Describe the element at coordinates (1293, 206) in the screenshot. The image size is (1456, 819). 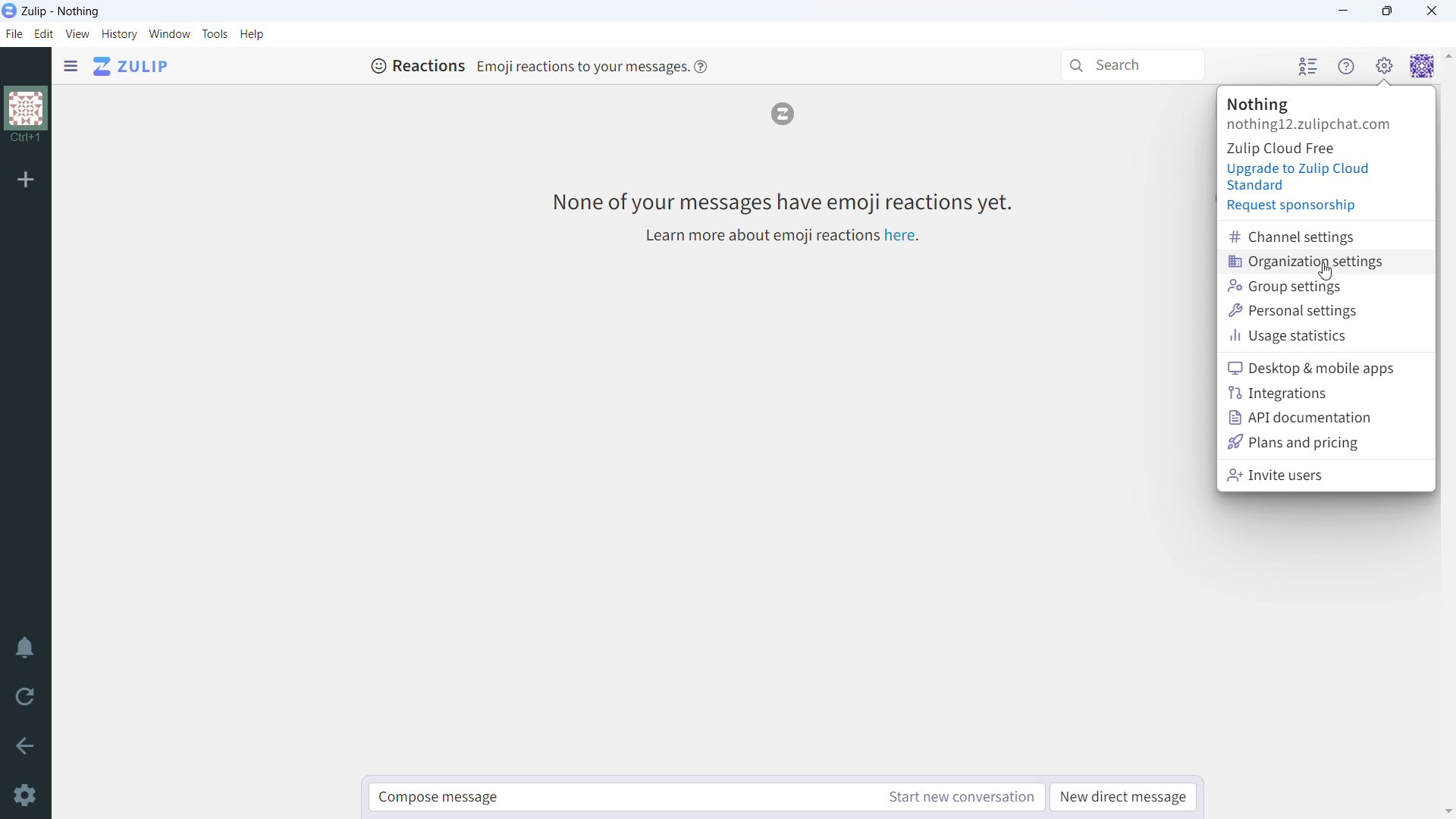
I see `request sponsorship` at that location.